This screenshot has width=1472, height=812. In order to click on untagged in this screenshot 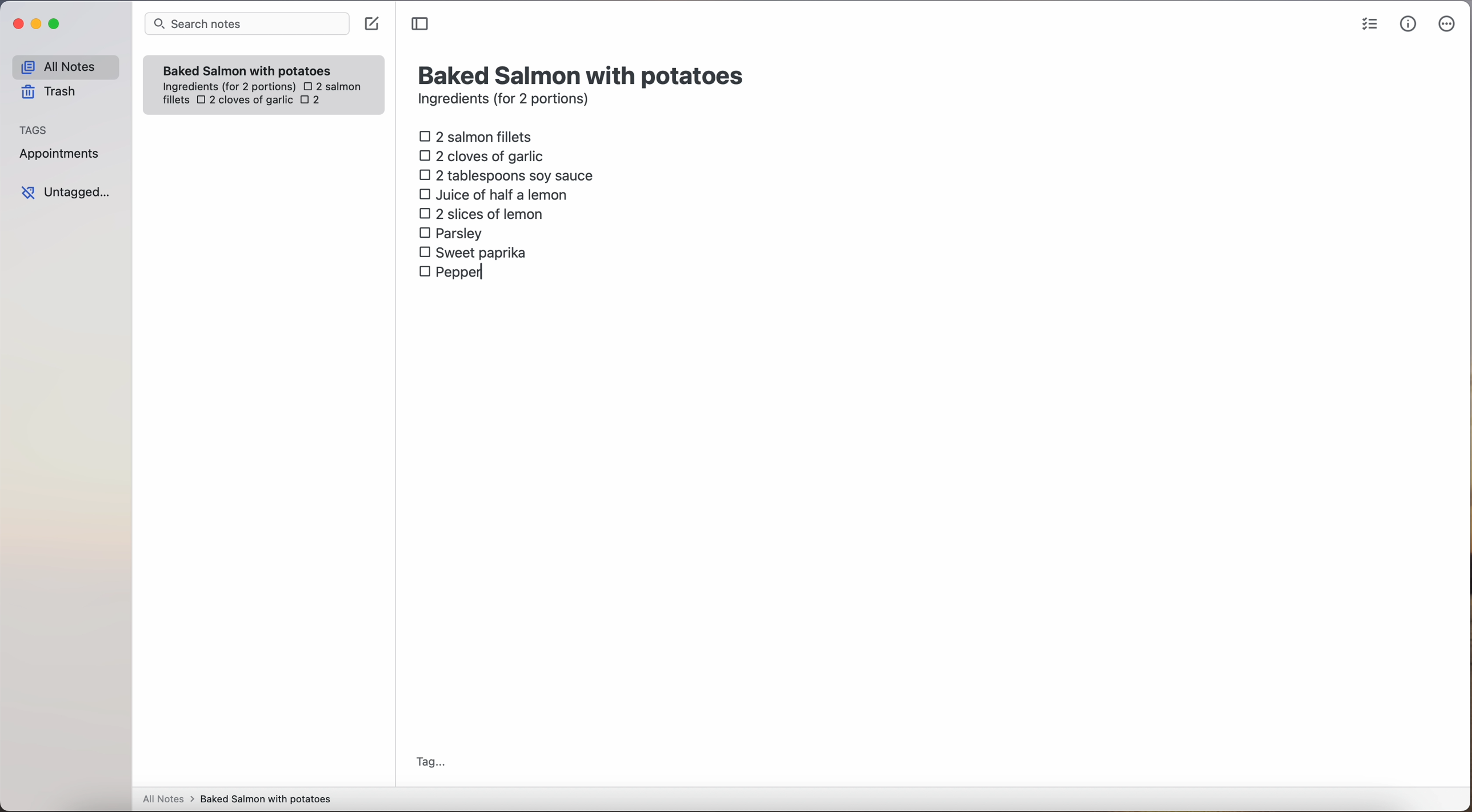, I will do `click(67, 192)`.